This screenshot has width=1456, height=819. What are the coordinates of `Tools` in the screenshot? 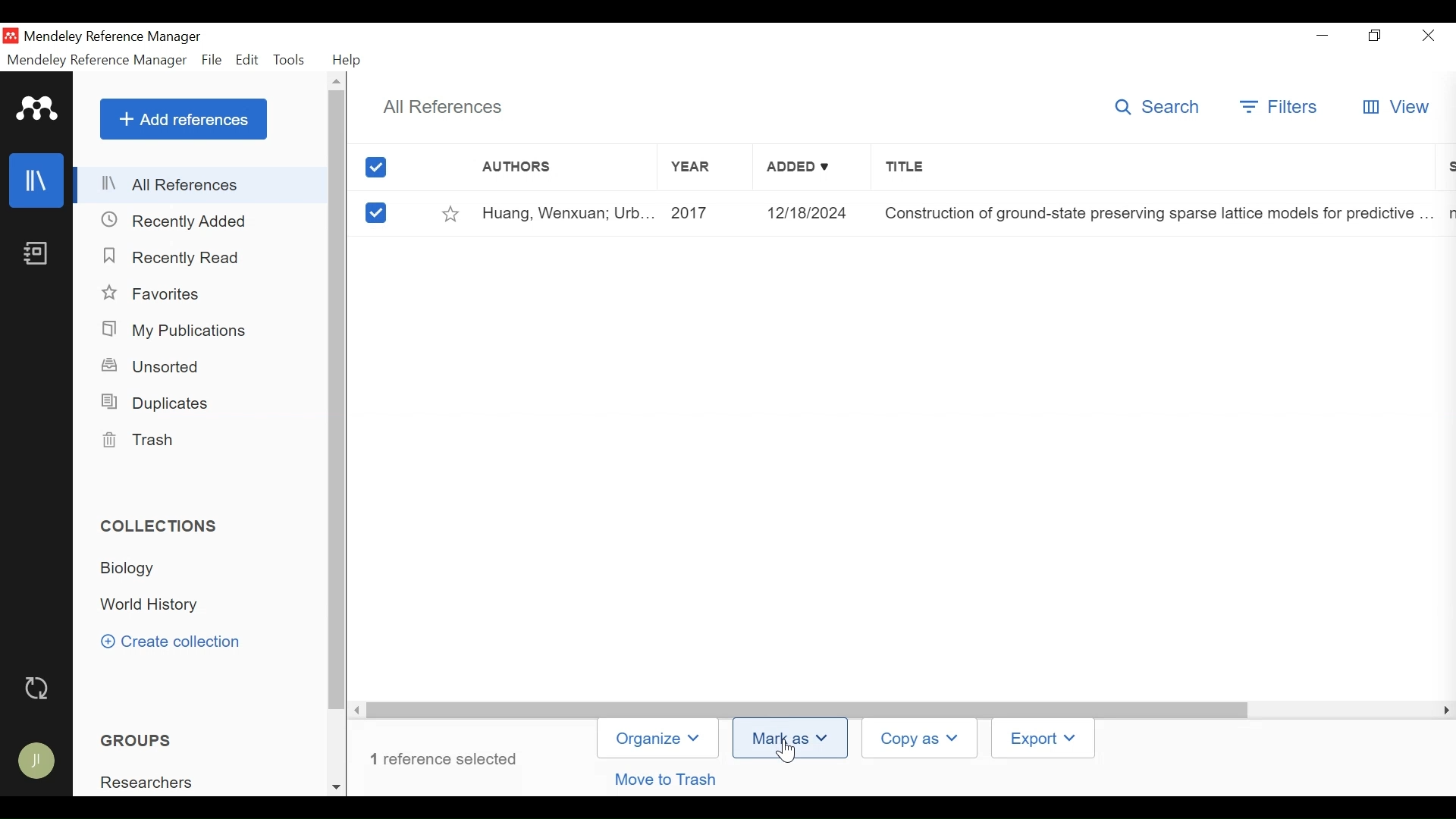 It's located at (290, 60).